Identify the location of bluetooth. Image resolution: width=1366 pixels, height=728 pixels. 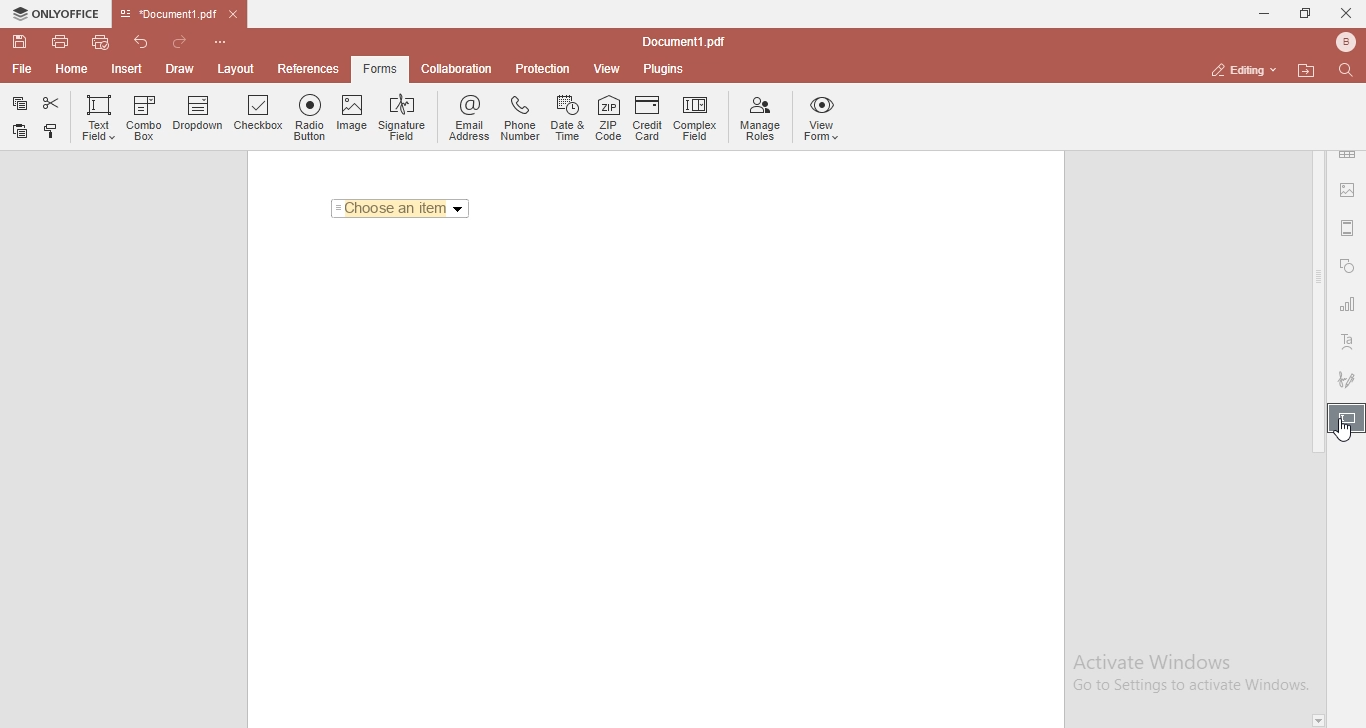
(1340, 42).